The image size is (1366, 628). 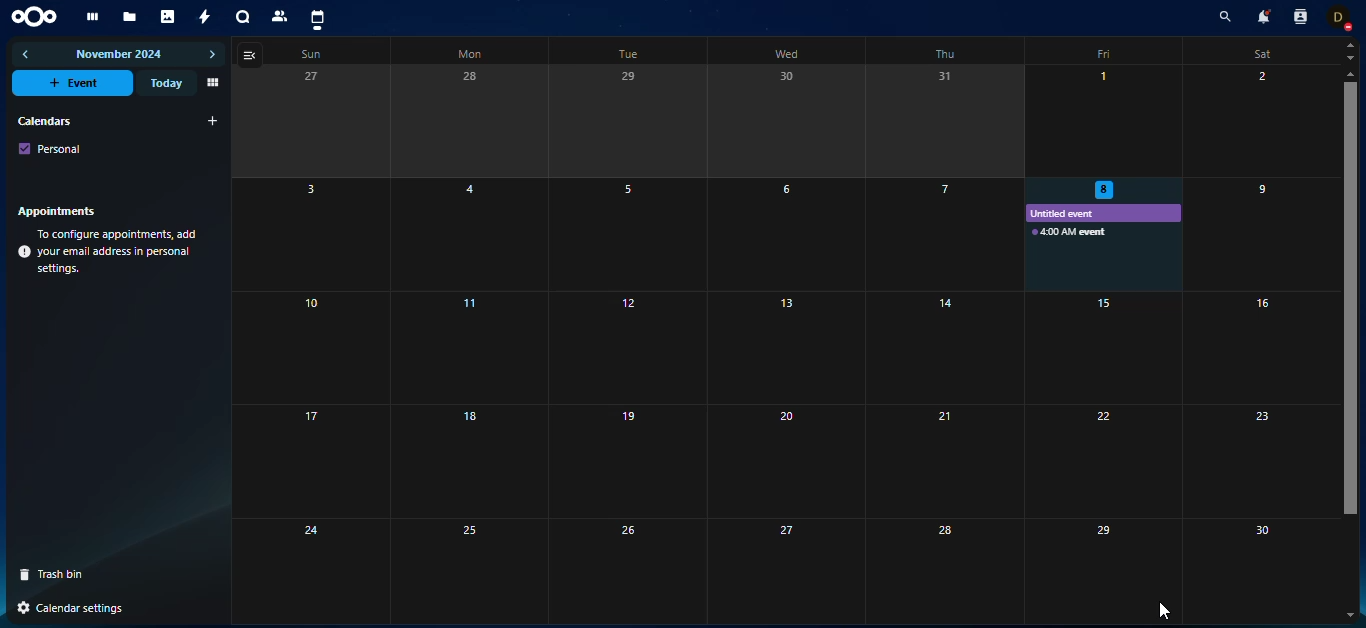 What do you see at coordinates (624, 55) in the screenshot?
I see `tue` at bounding box center [624, 55].